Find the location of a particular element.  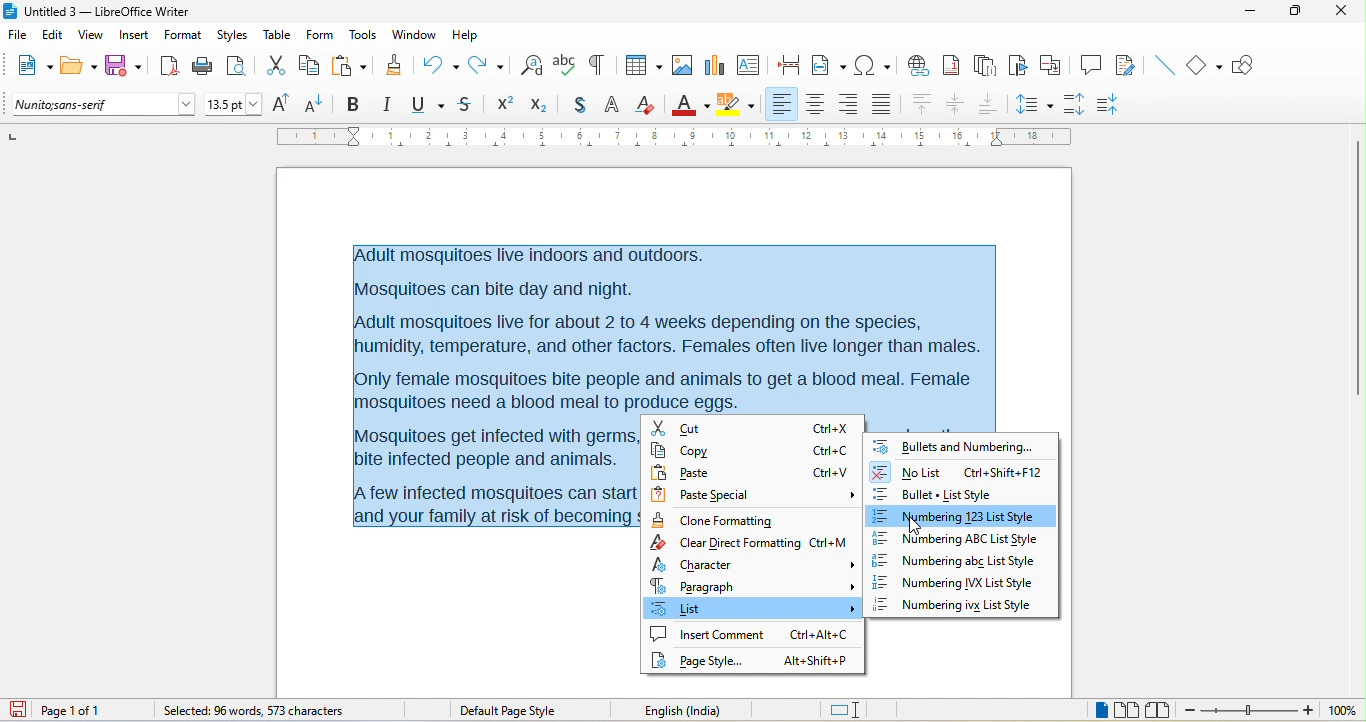

paste is located at coordinates (352, 64).